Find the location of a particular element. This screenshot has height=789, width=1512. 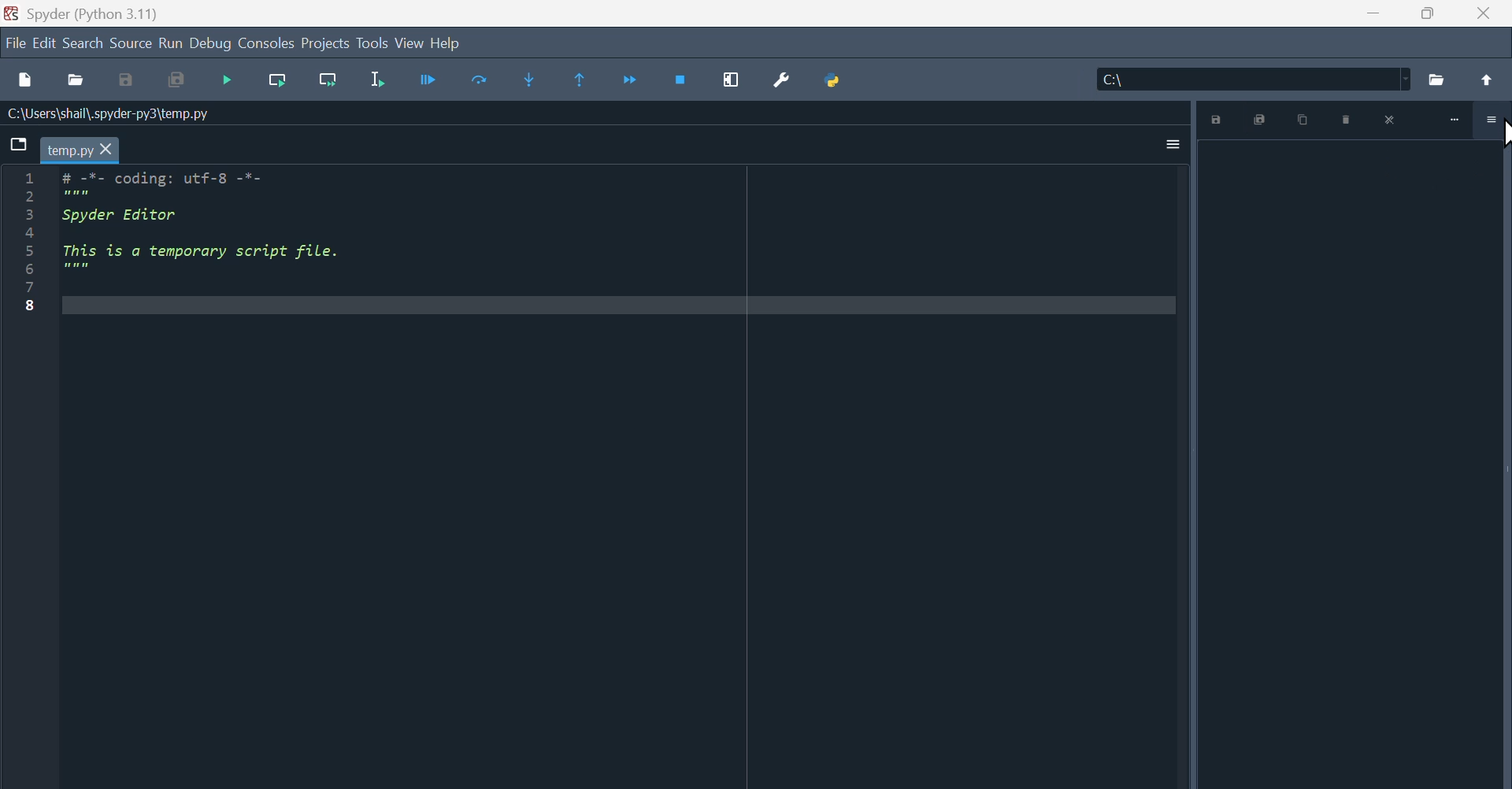

Continue execution until same function returns is located at coordinates (632, 79).